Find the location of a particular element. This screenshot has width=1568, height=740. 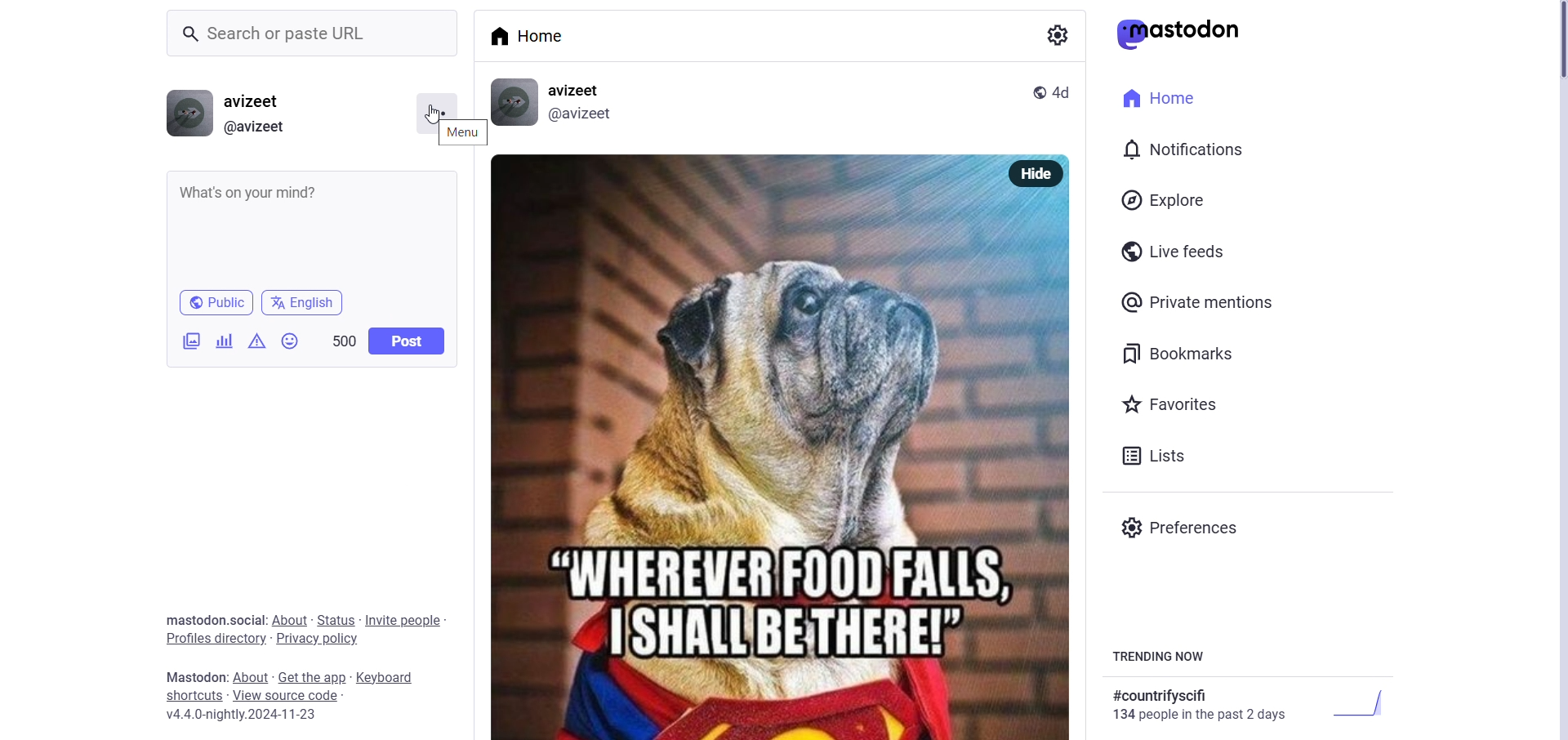

explore is located at coordinates (1166, 199).